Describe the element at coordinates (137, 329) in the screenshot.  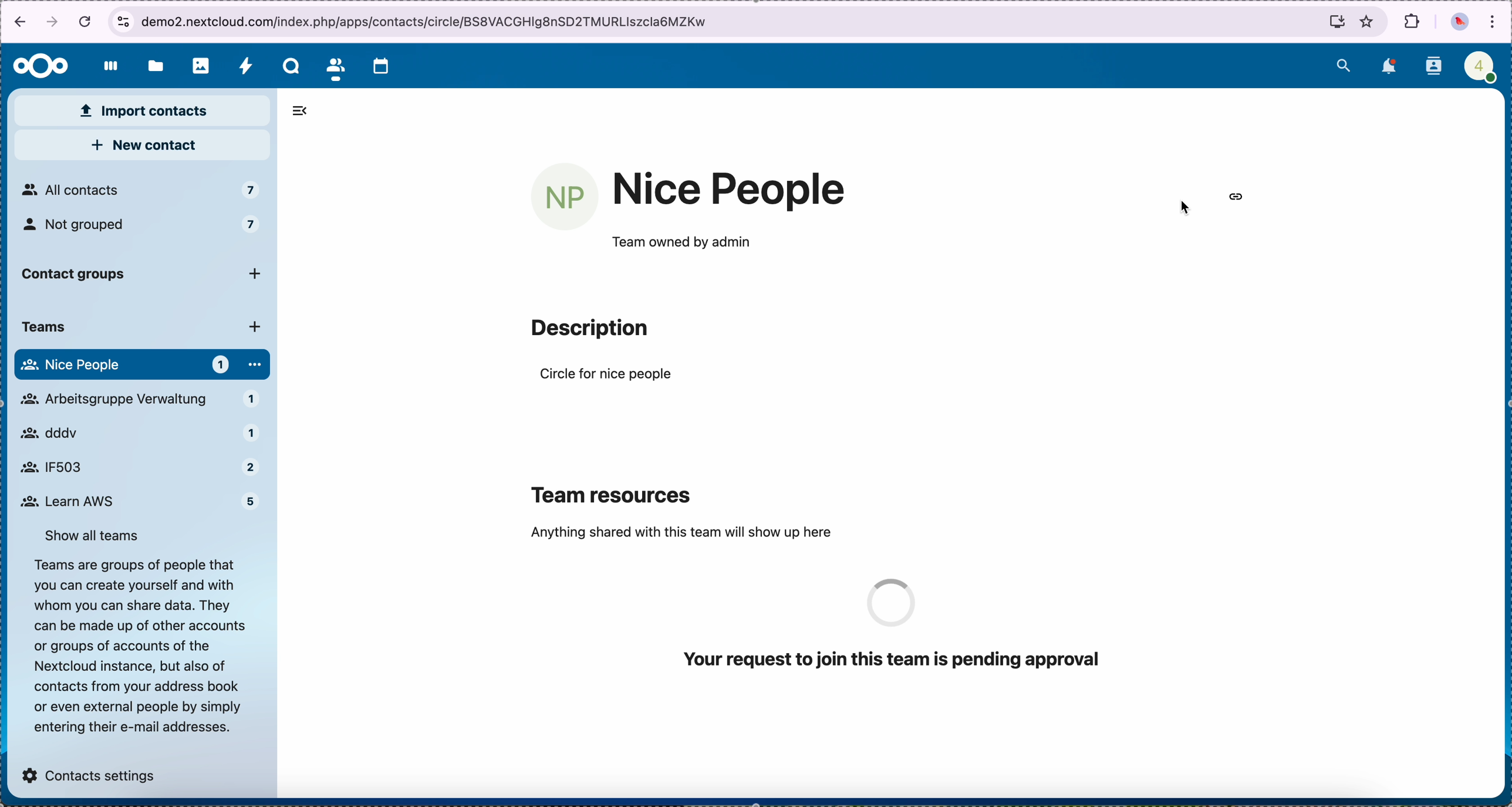
I see `team` at that location.